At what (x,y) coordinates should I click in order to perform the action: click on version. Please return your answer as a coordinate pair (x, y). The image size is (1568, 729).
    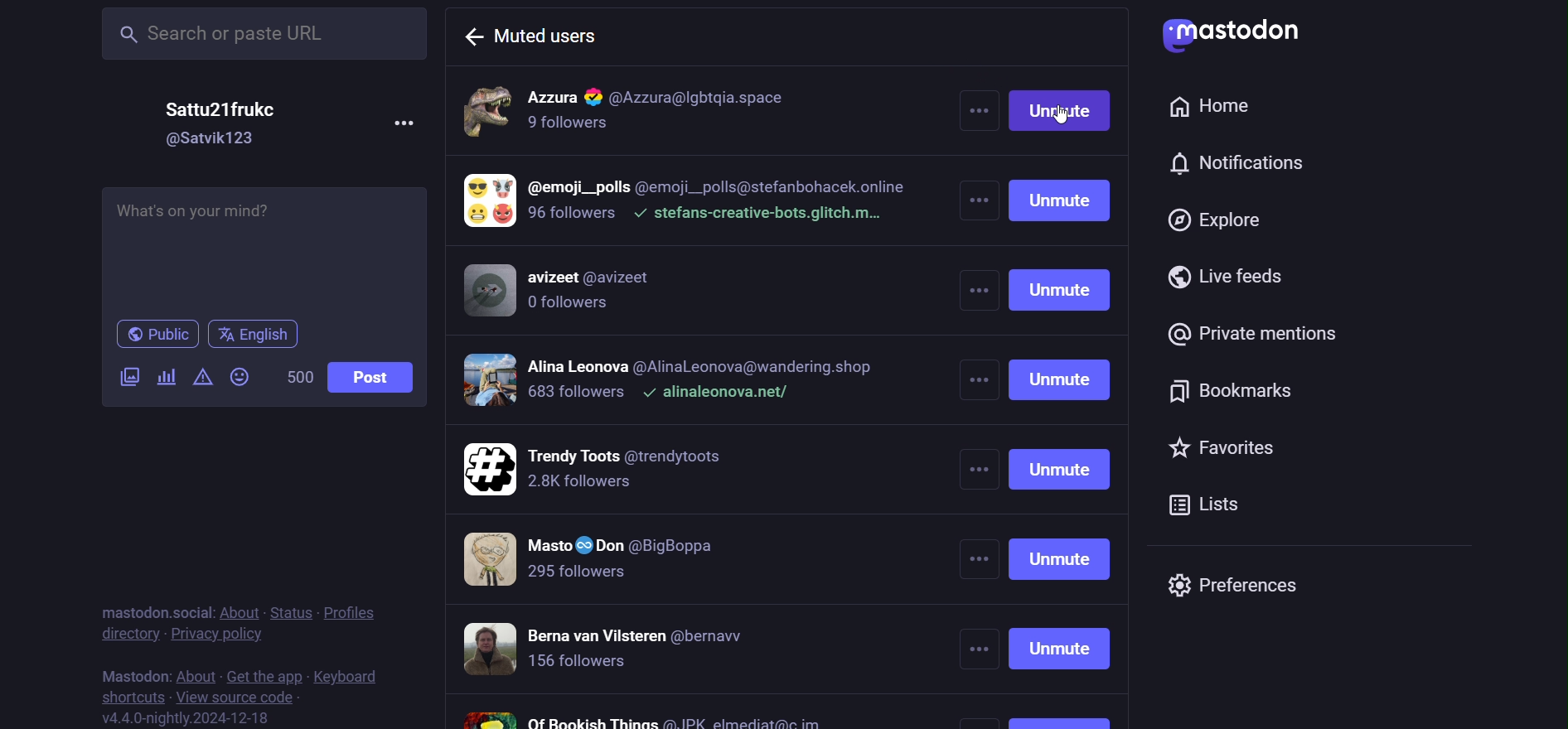
    Looking at the image, I should click on (188, 718).